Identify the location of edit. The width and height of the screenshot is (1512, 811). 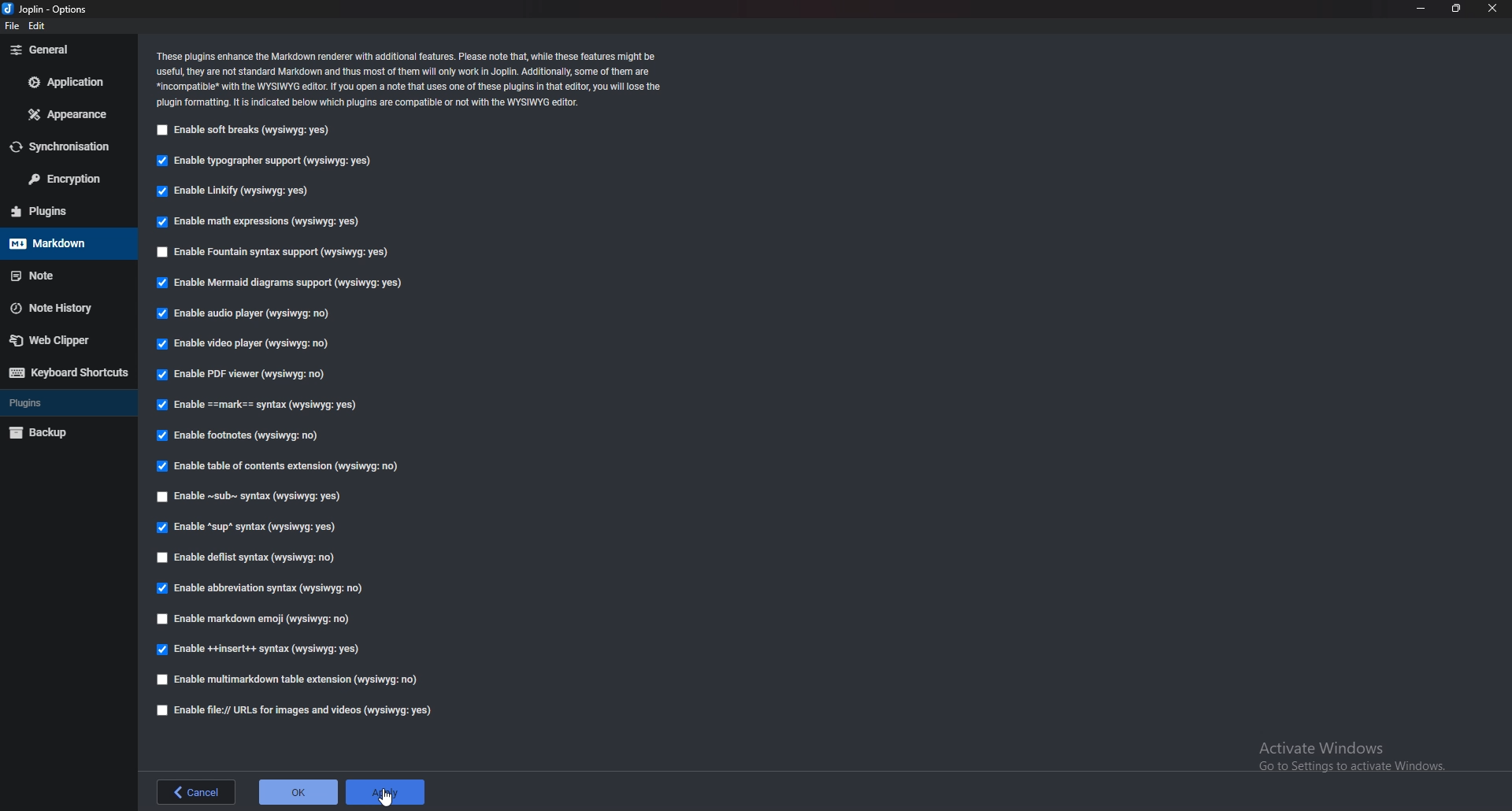
(38, 26).